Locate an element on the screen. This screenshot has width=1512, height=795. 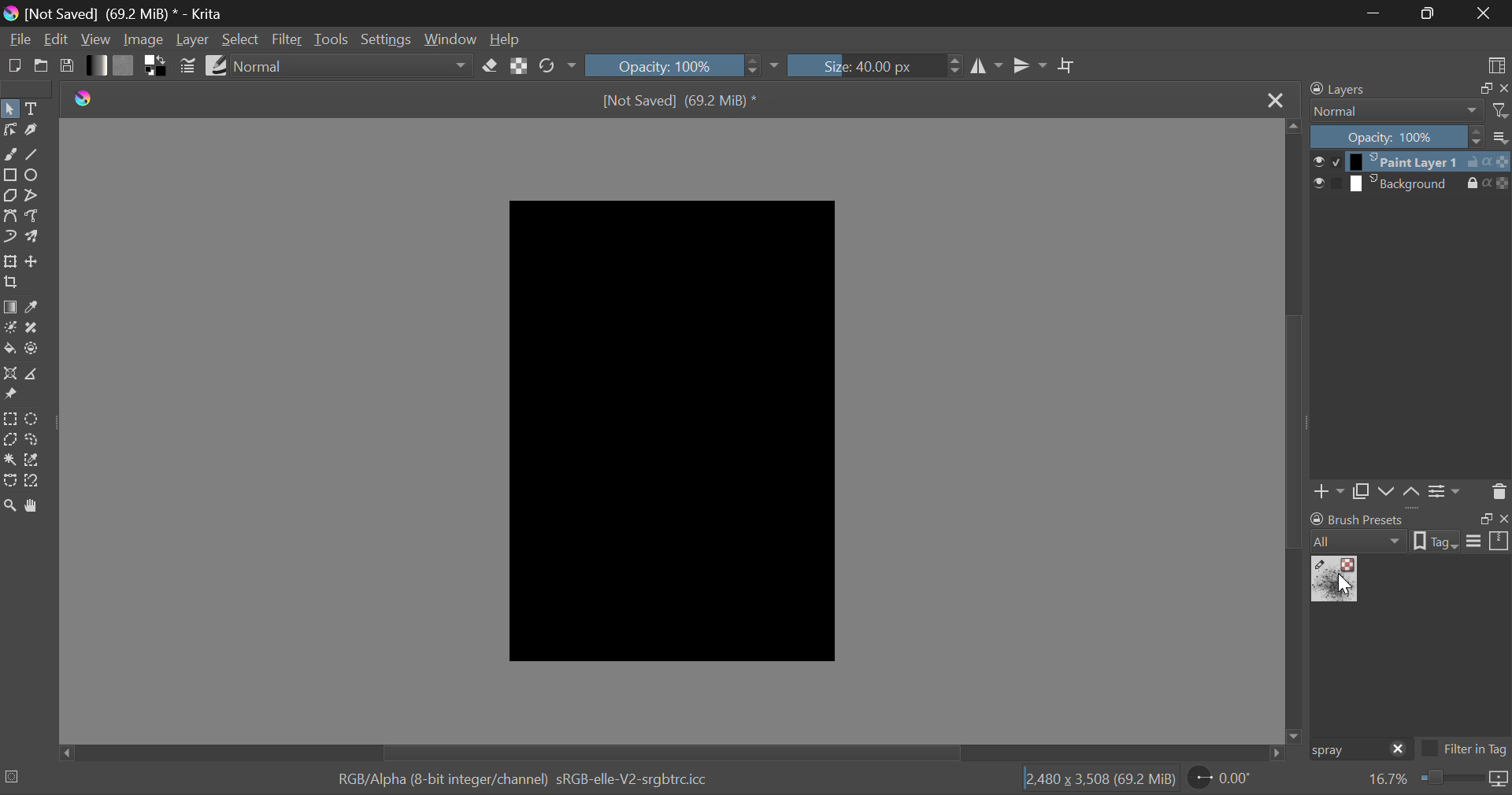
Gradient Fill is located at coordinates (11, 308).